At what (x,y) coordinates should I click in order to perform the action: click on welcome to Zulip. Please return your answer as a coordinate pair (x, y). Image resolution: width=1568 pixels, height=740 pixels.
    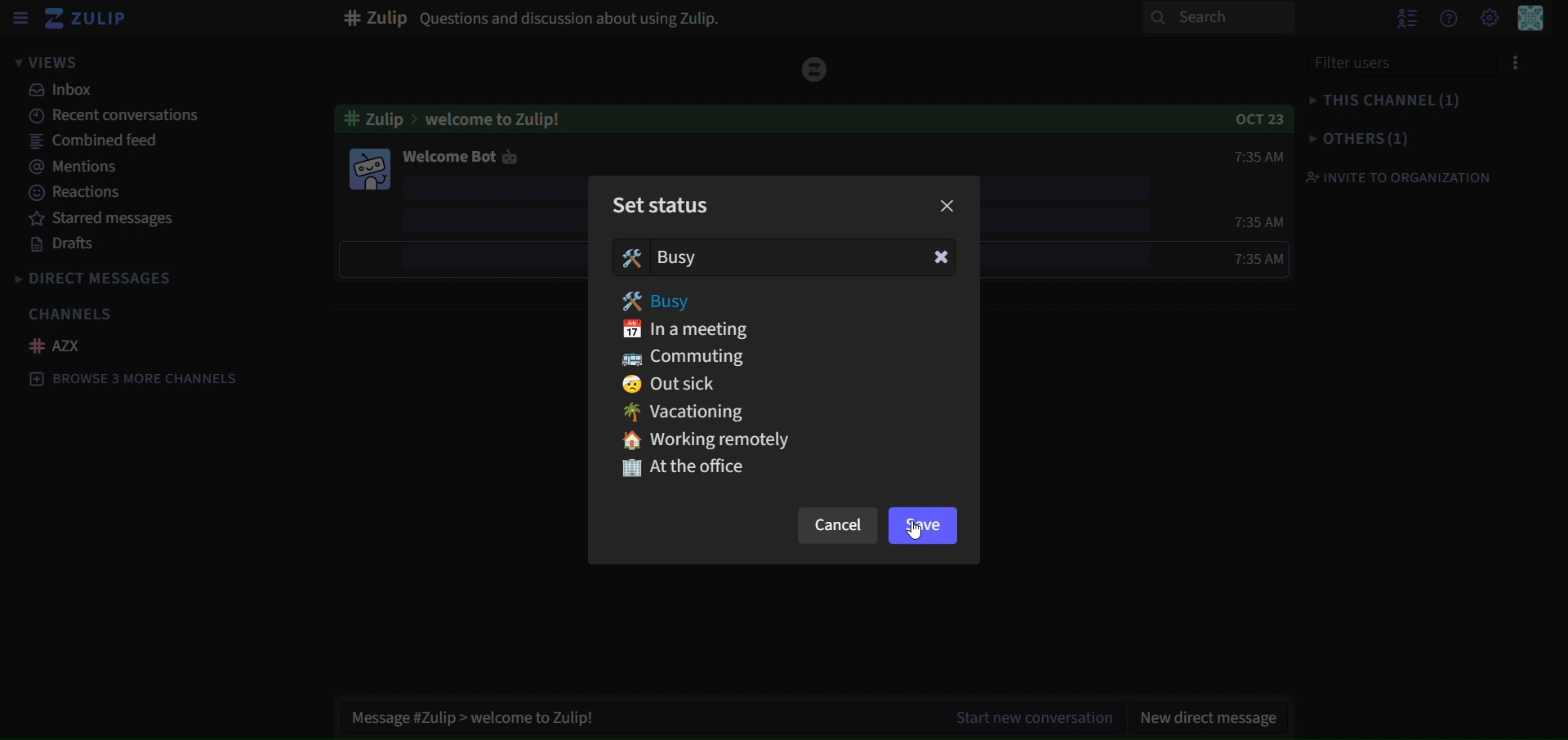
    Looking at the image, I should click on (467, 116).